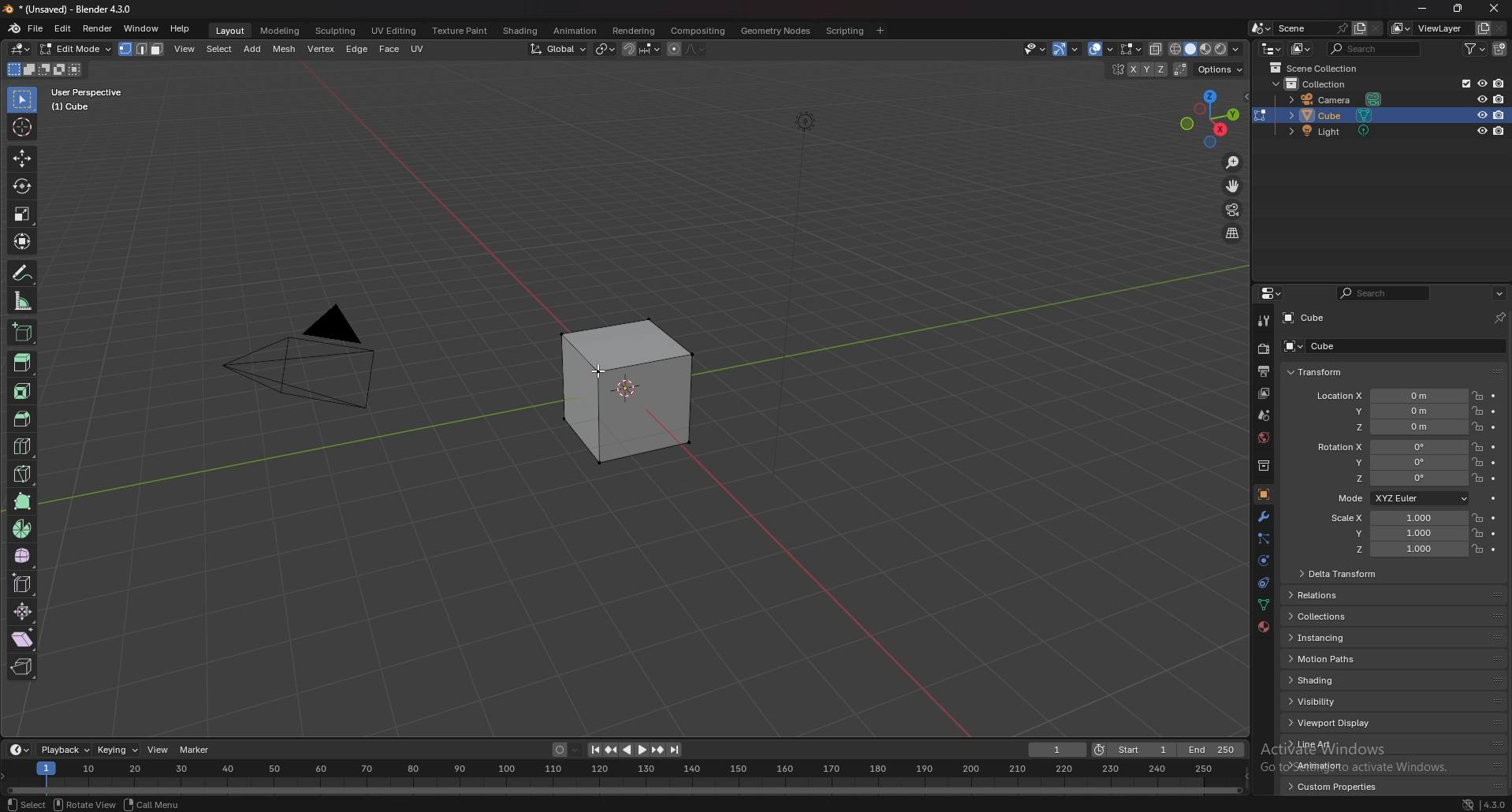  What do you see at coordinates (394, 31) in the screenshot?
I see `uv editing` at bounding box center [394, 31].